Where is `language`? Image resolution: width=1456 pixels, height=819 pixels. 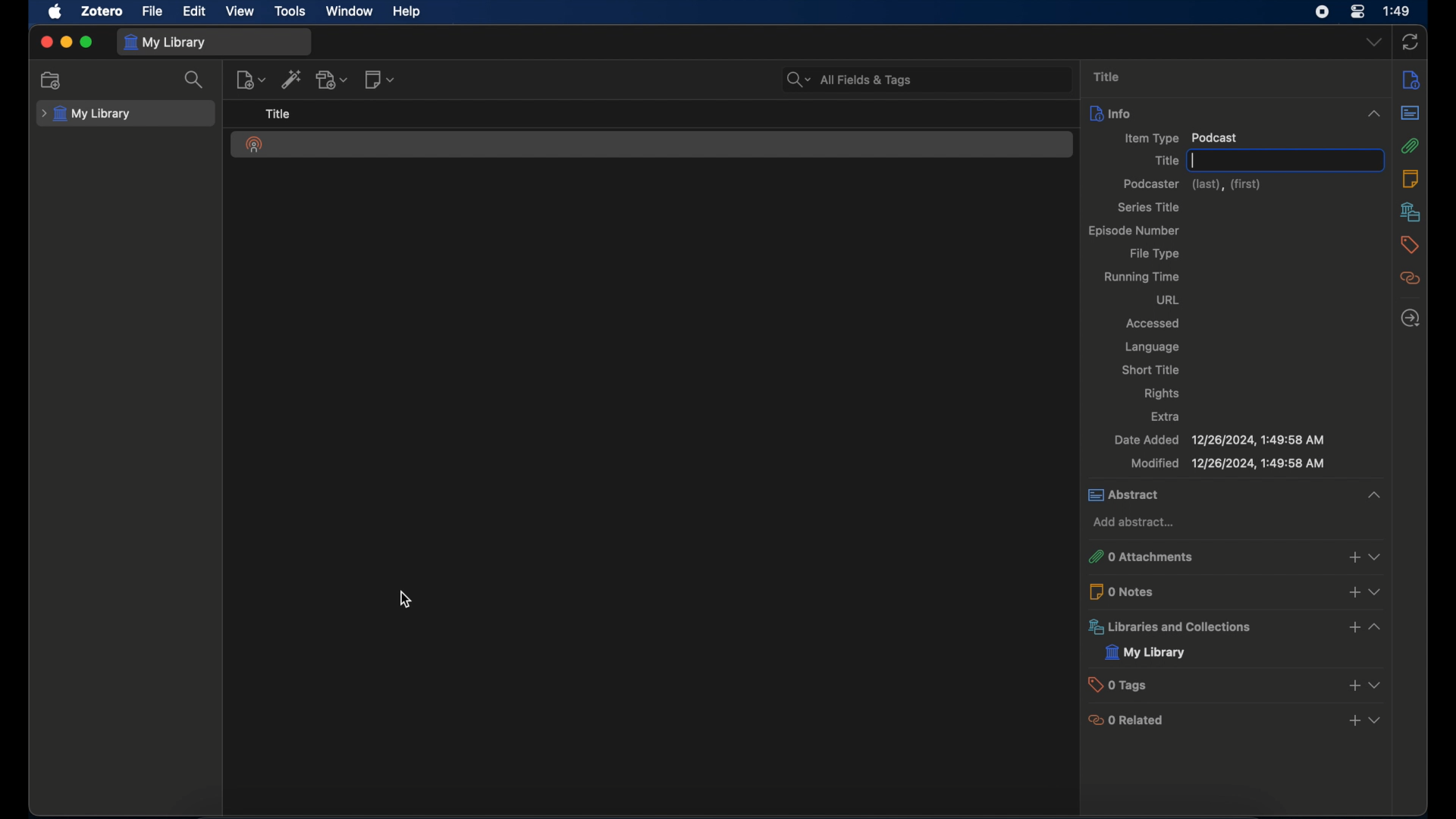
language is located at coordinates (1154, 347).